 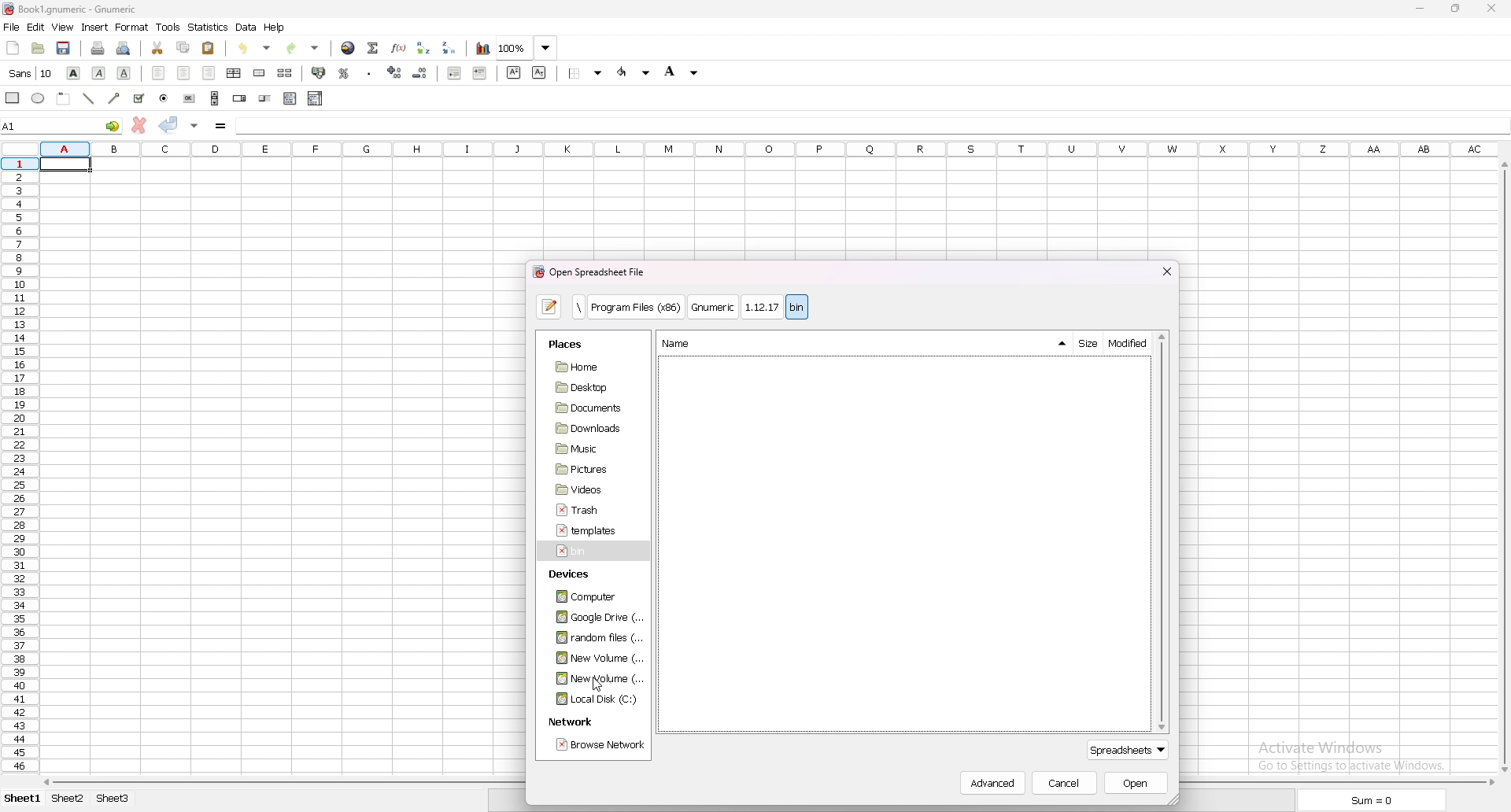 I want to click on increase indent, so click(x=480, y=73).